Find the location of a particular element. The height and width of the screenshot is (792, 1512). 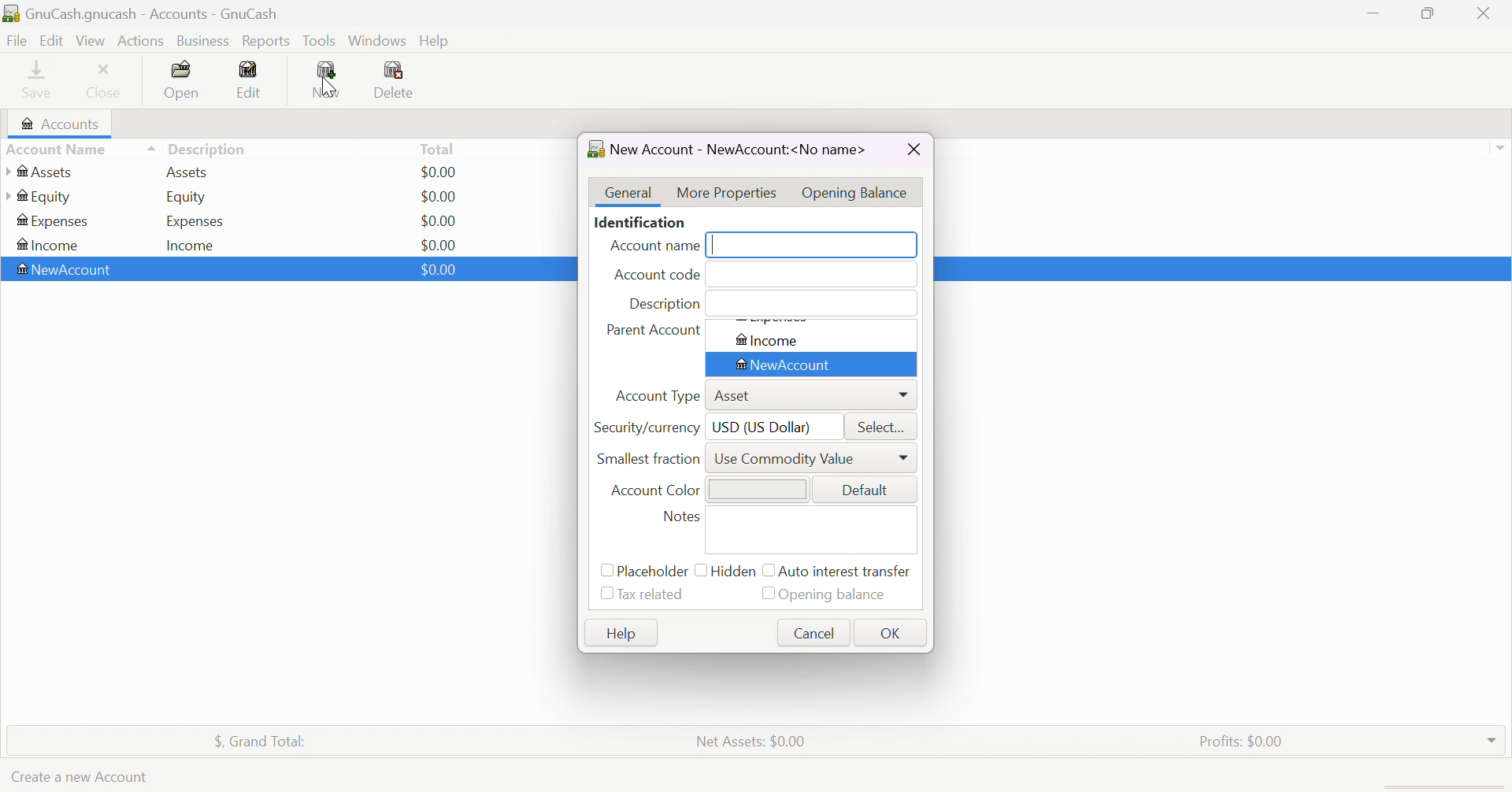

Edit is located at coordinates (50, 41).